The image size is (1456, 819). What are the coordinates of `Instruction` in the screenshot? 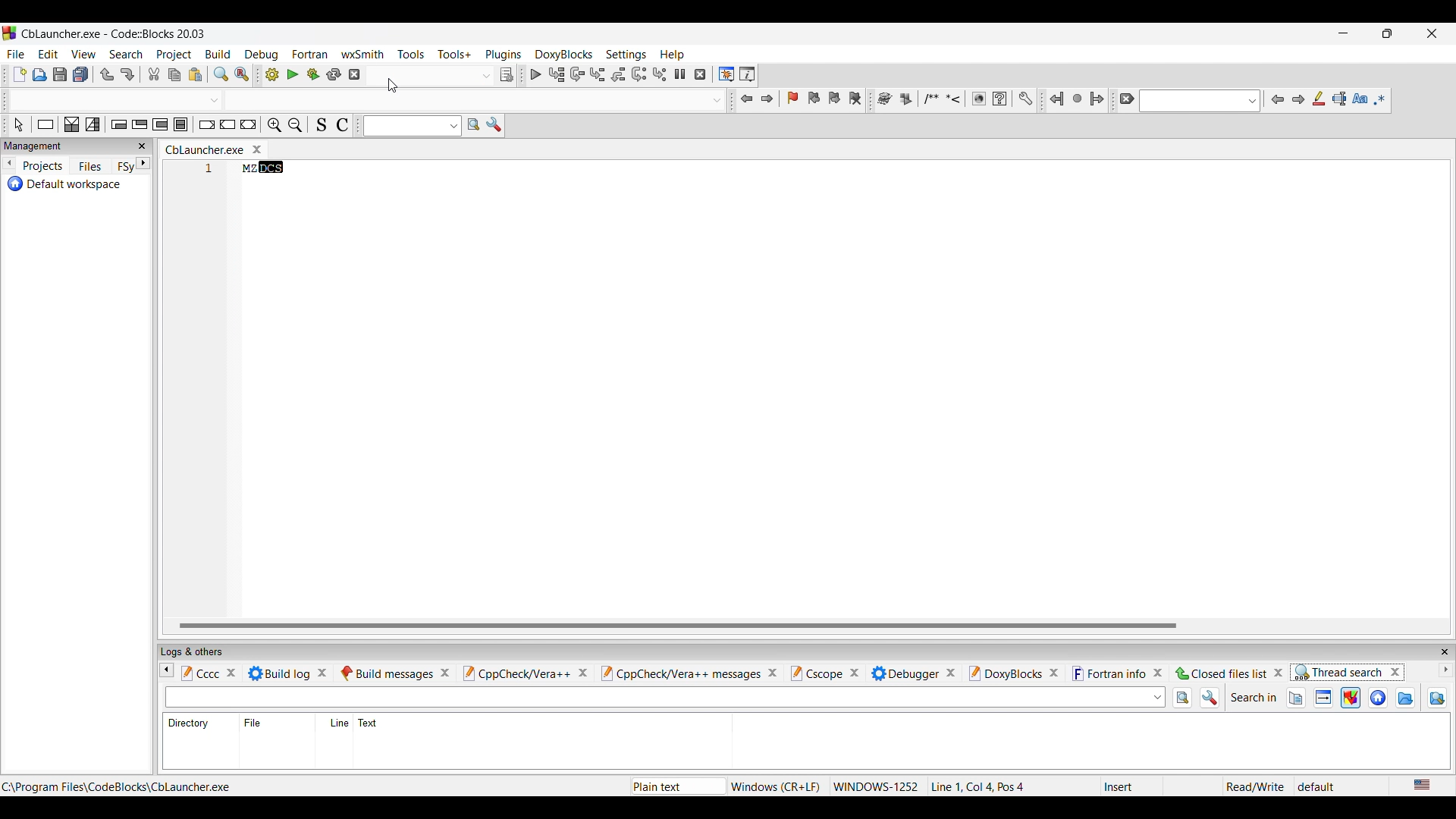 It's located at (45, 124).